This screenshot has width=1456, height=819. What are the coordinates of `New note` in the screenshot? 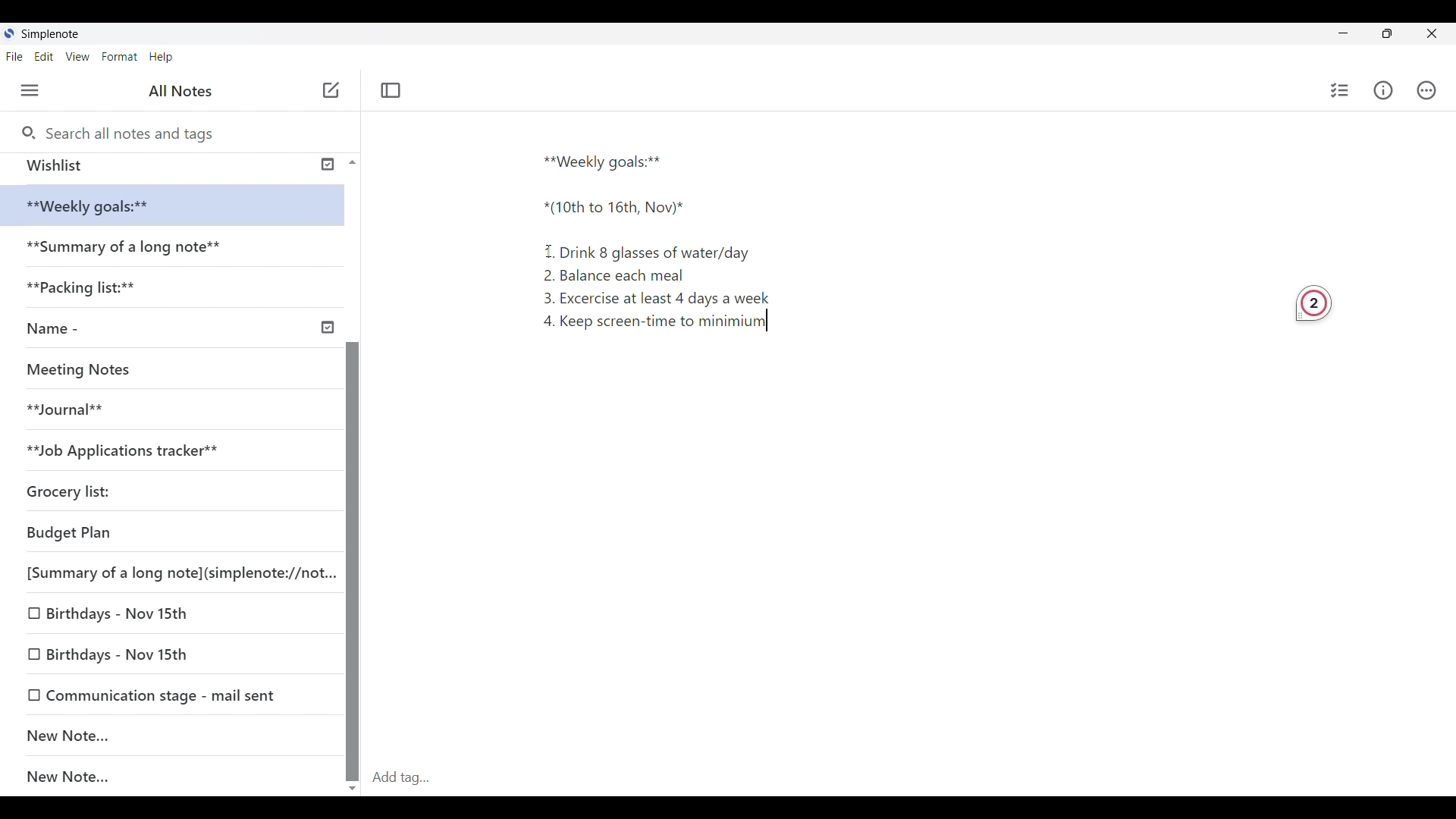 It's located at (164, 735).